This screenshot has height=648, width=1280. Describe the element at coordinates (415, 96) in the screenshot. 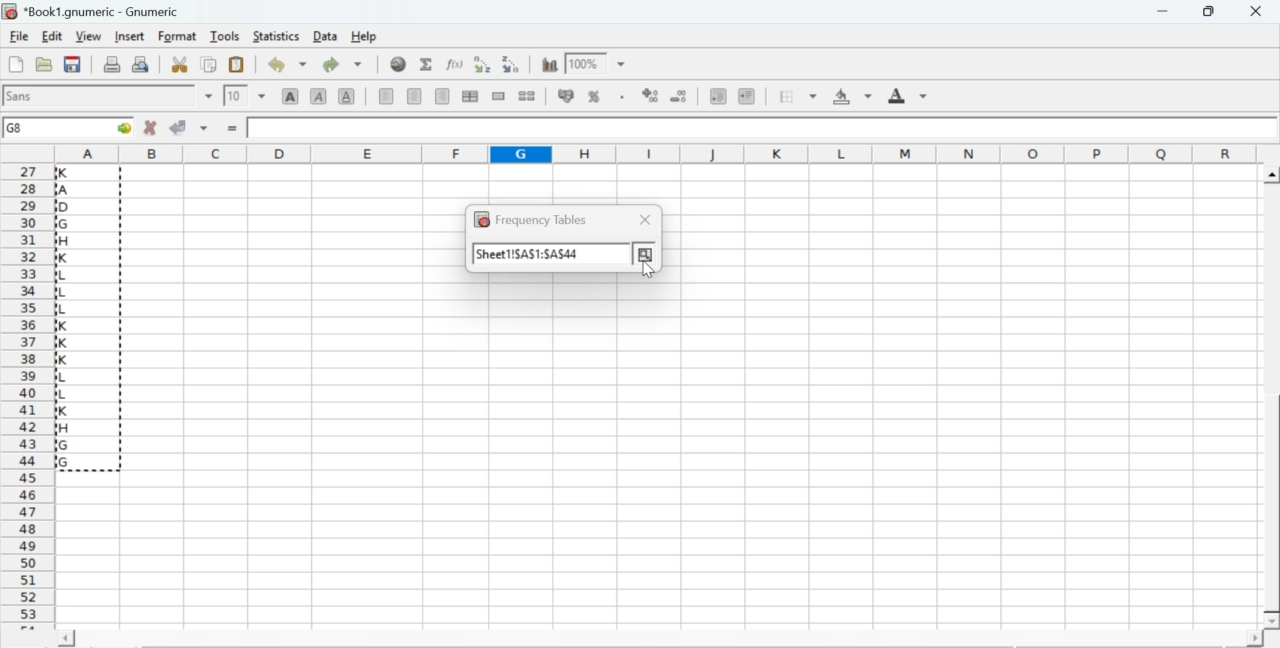

I see `center horizontally` at that location.